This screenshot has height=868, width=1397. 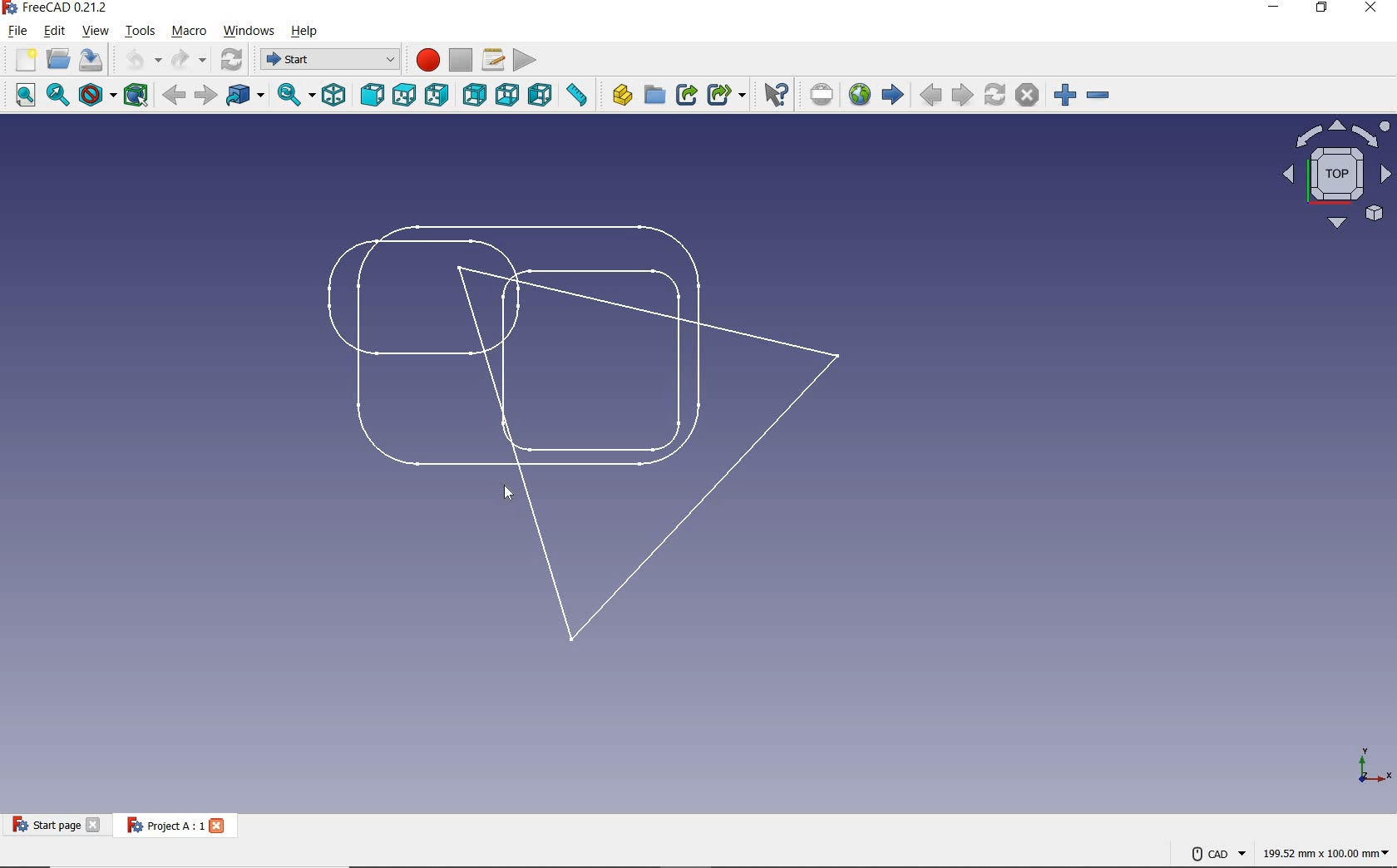 I want to click on SAVE, so click(x=93, y=59).